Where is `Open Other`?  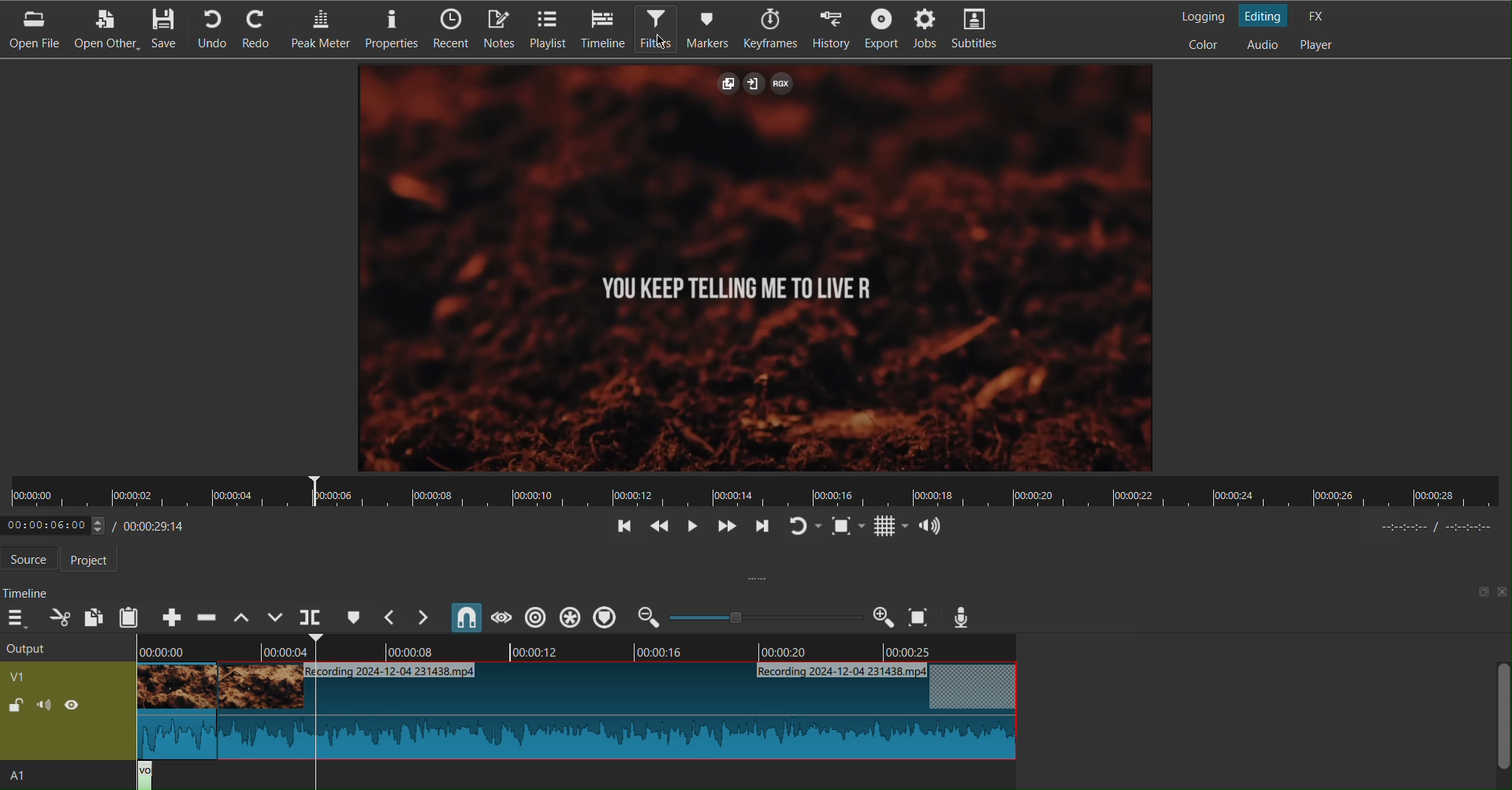 Open Other is located at coordinates (102, 28).